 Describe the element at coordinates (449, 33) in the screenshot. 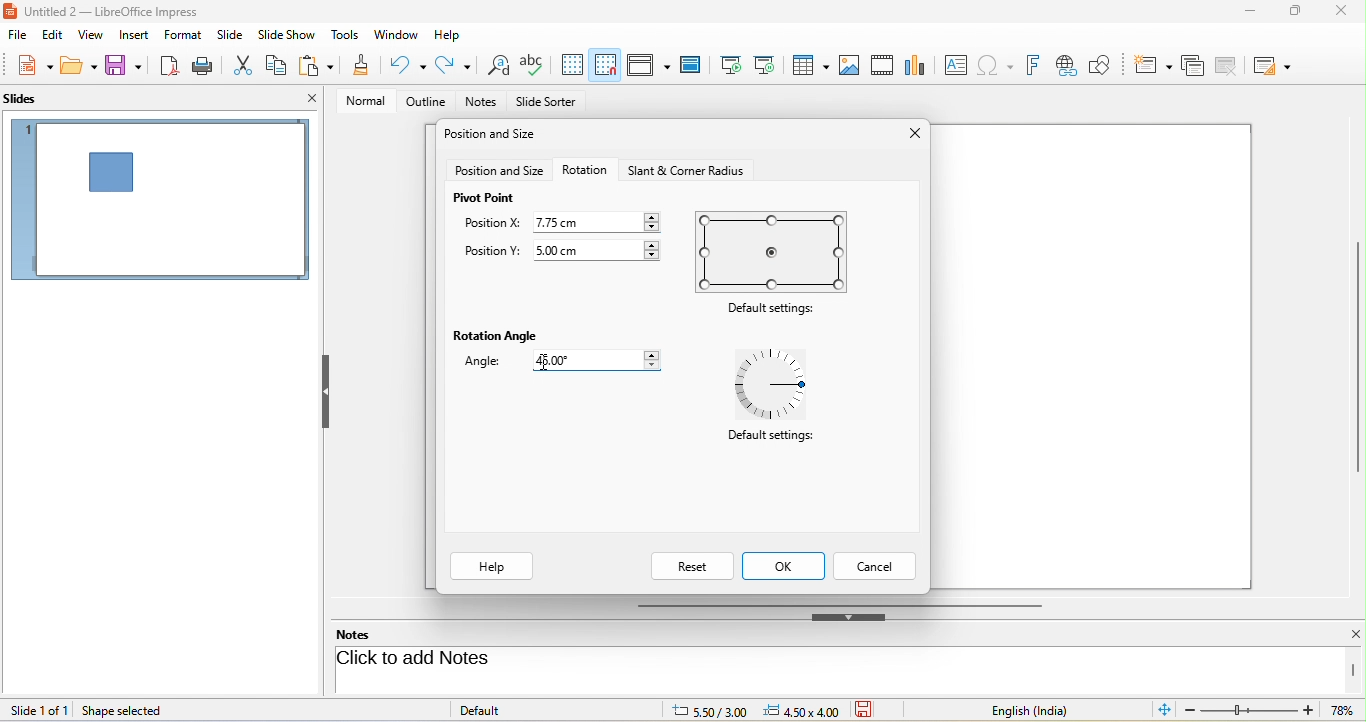

I see `help` at that location.